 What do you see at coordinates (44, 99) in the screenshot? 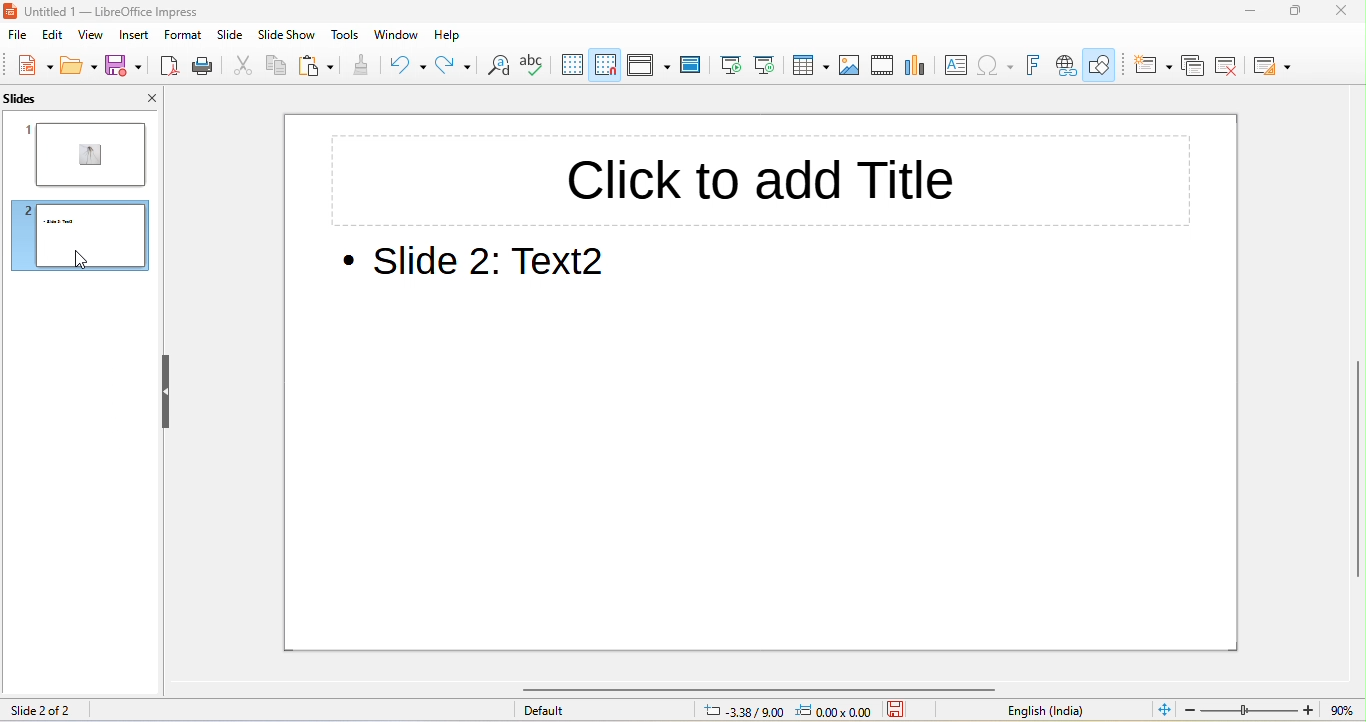
I see `slides` at bounding box center [44, 99].